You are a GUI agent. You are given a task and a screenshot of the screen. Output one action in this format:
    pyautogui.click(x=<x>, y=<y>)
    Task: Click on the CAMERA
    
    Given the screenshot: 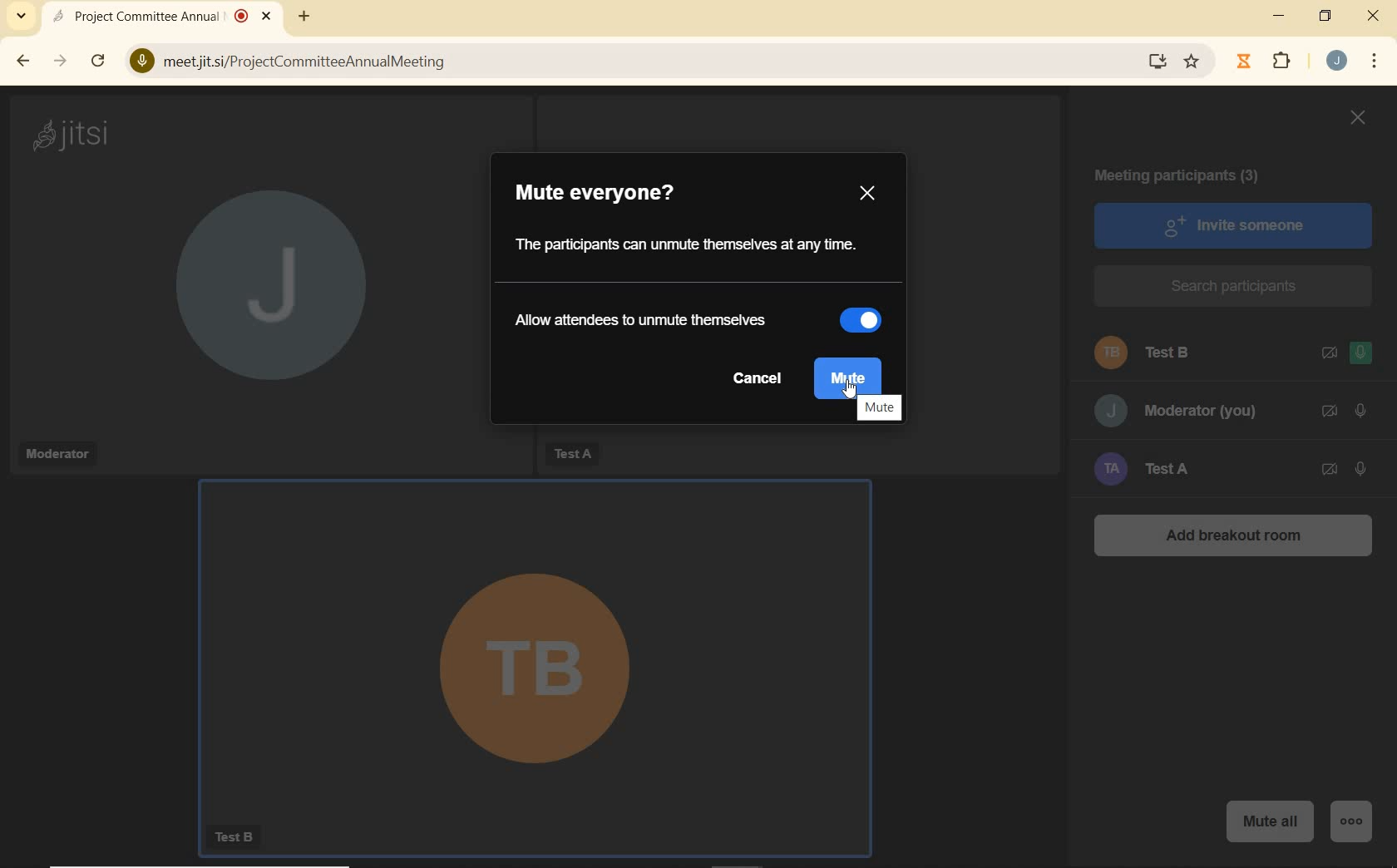 What is the action you would take?
    pyautogui.click(x=1330, y=471)
    